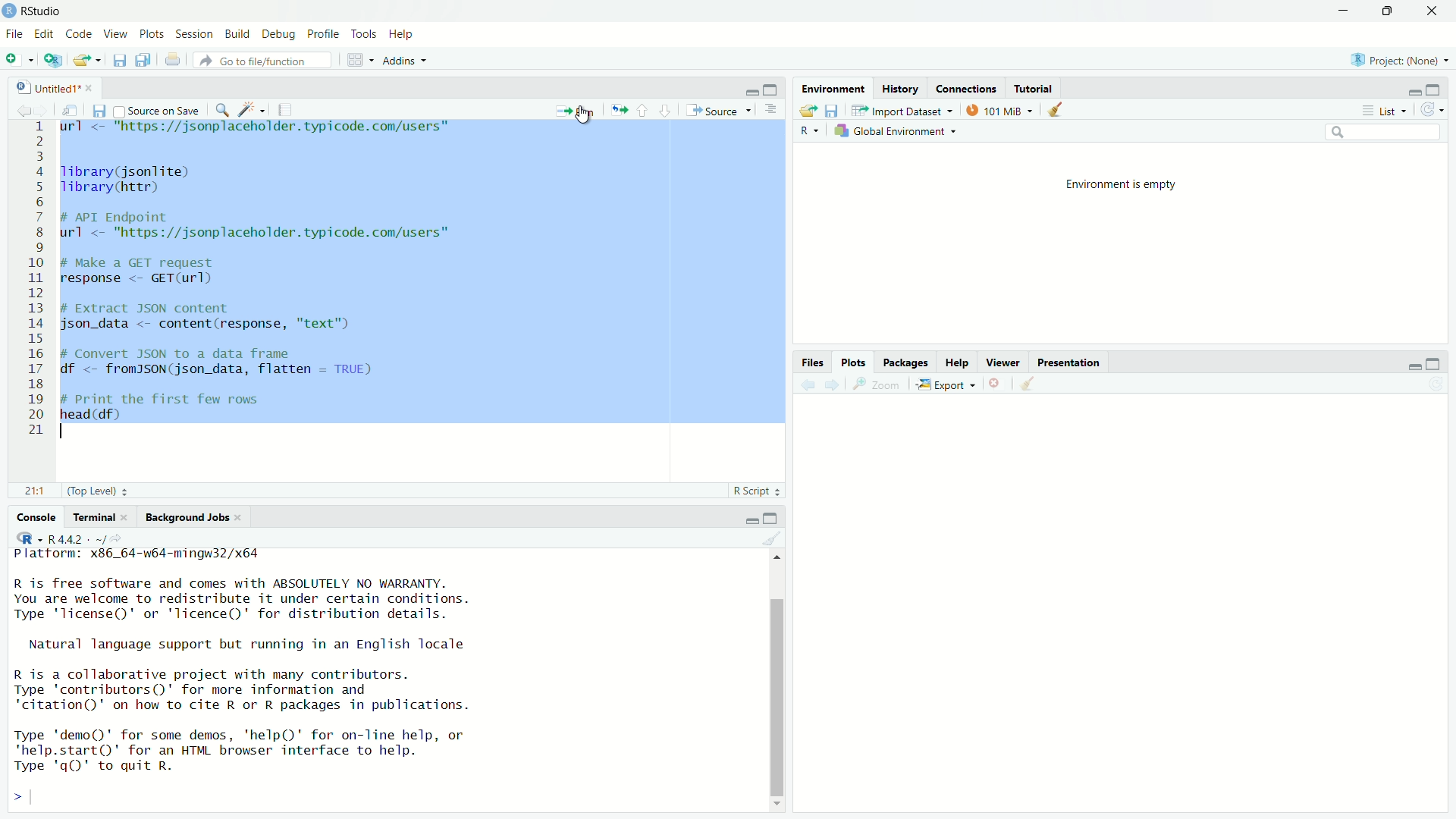  I want to click on History, so click(901, 89).